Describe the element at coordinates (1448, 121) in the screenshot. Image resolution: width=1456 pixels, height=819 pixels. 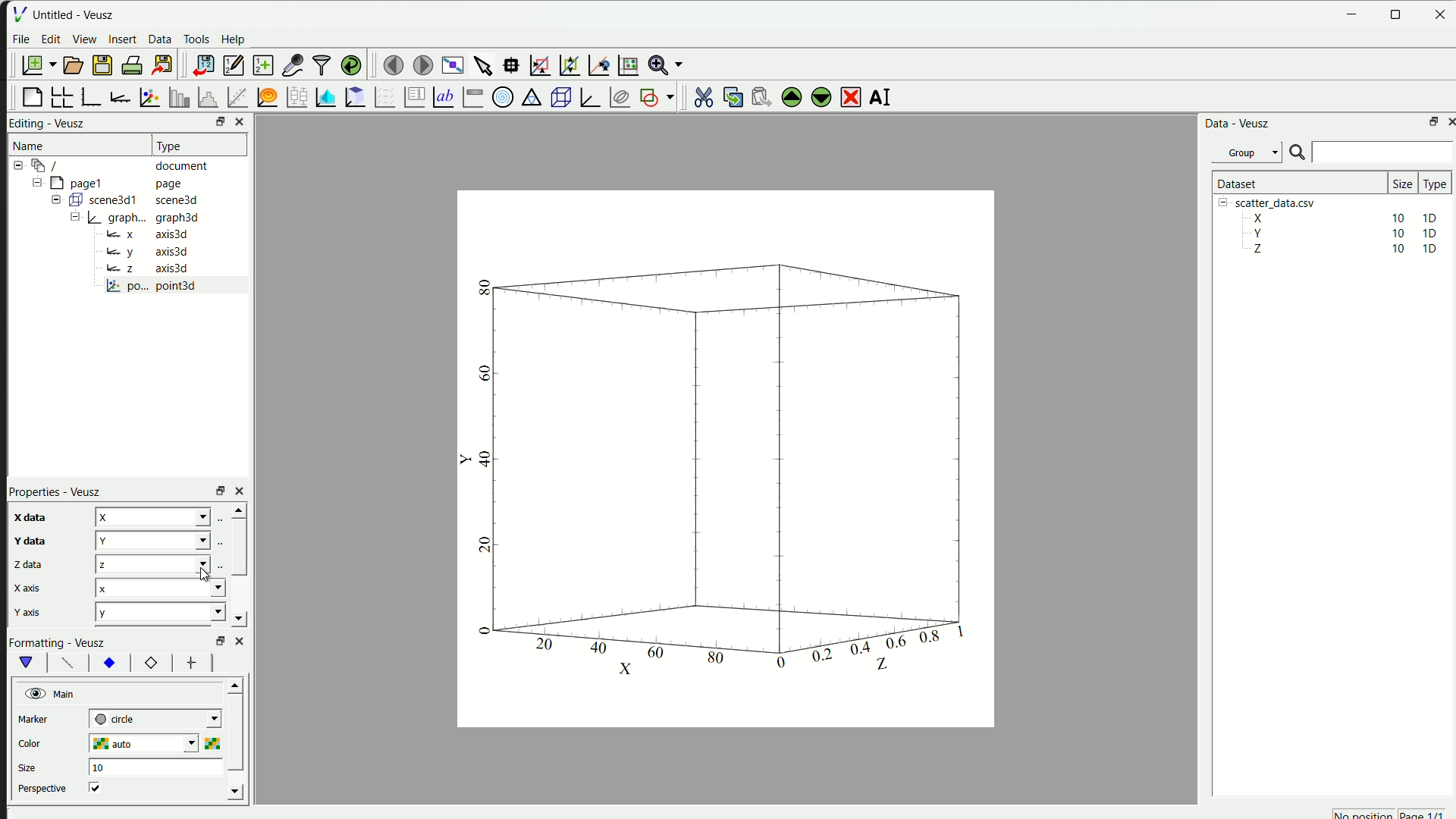
I see `close` at that location.